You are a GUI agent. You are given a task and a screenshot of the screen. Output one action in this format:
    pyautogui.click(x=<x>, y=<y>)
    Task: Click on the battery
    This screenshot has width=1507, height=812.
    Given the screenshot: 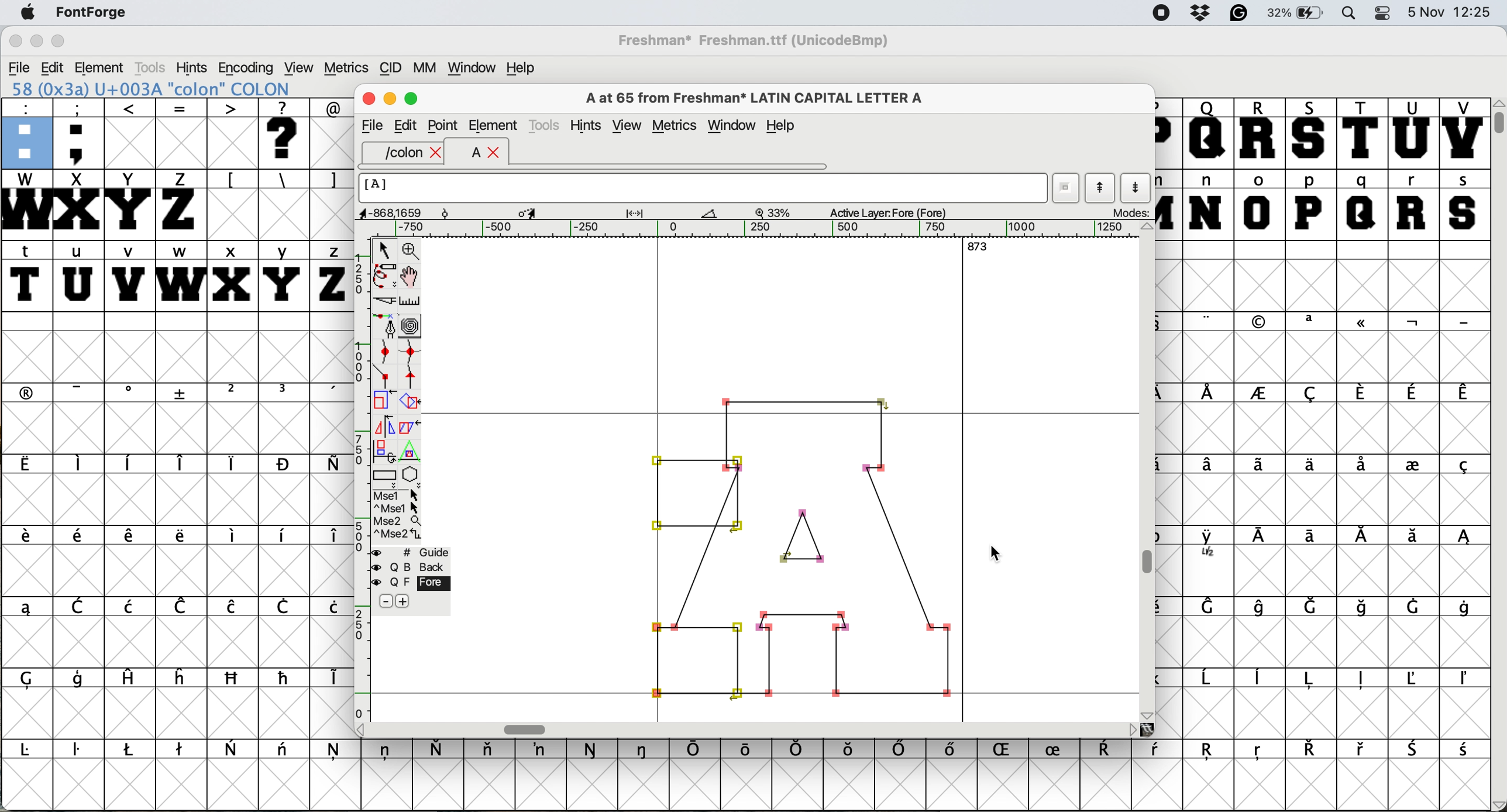 What is the action you would take?
    pyautogui.click(x=1298, y=13)
    